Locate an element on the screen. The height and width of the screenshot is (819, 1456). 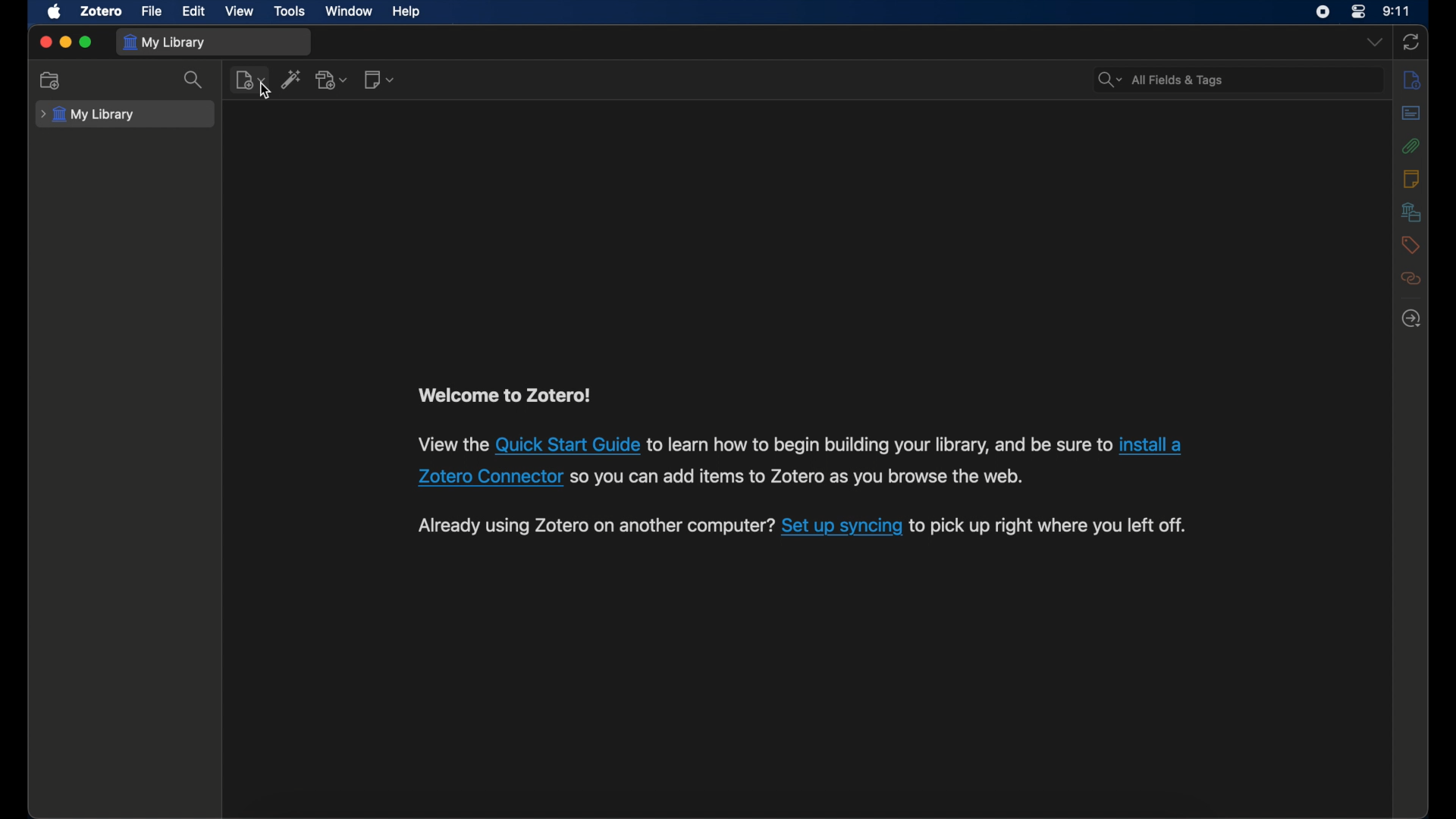
my library is located at coordinates (164, 42).